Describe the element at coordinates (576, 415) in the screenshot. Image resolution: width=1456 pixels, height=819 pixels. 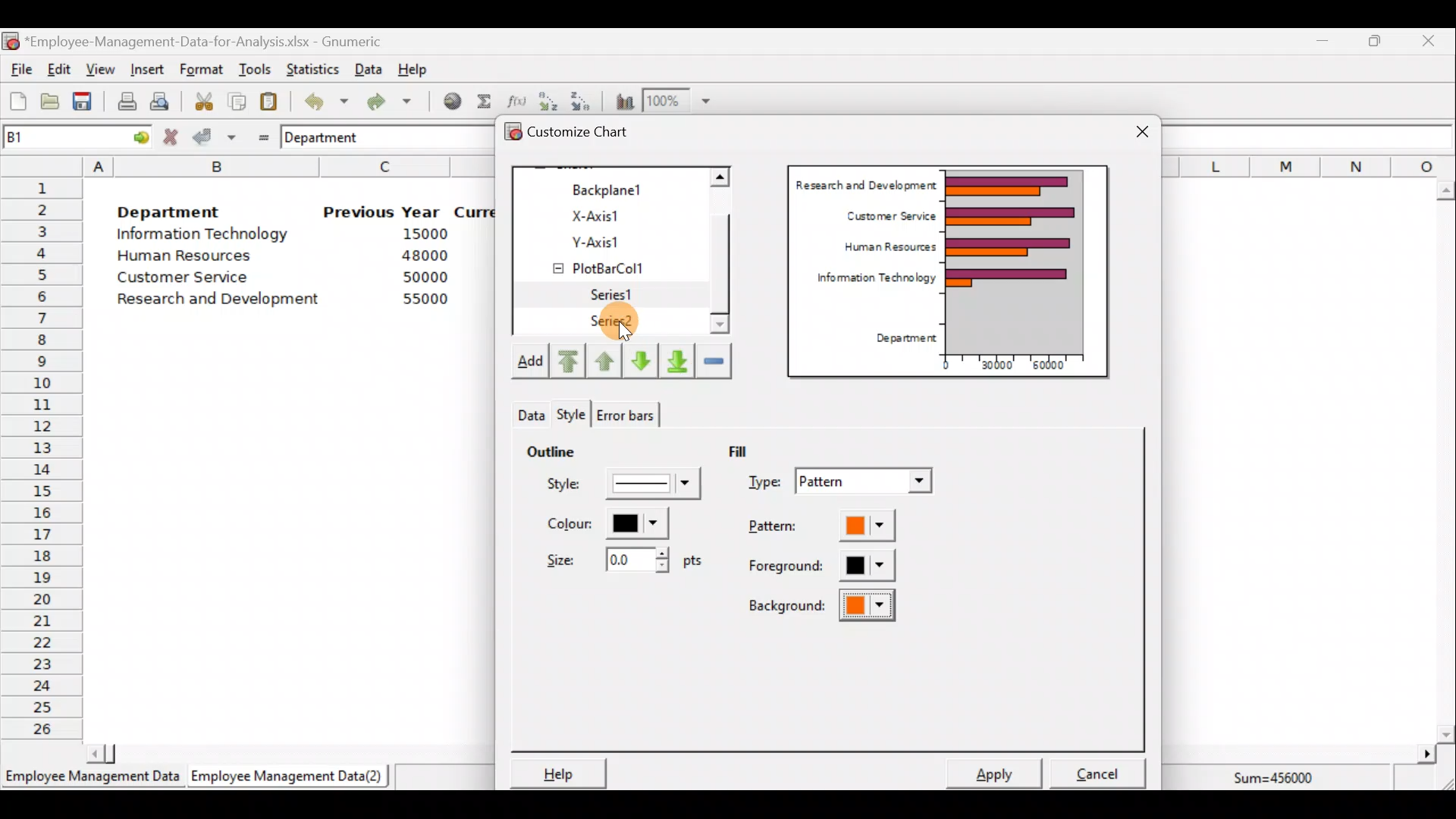
I see `Theme` at that location.